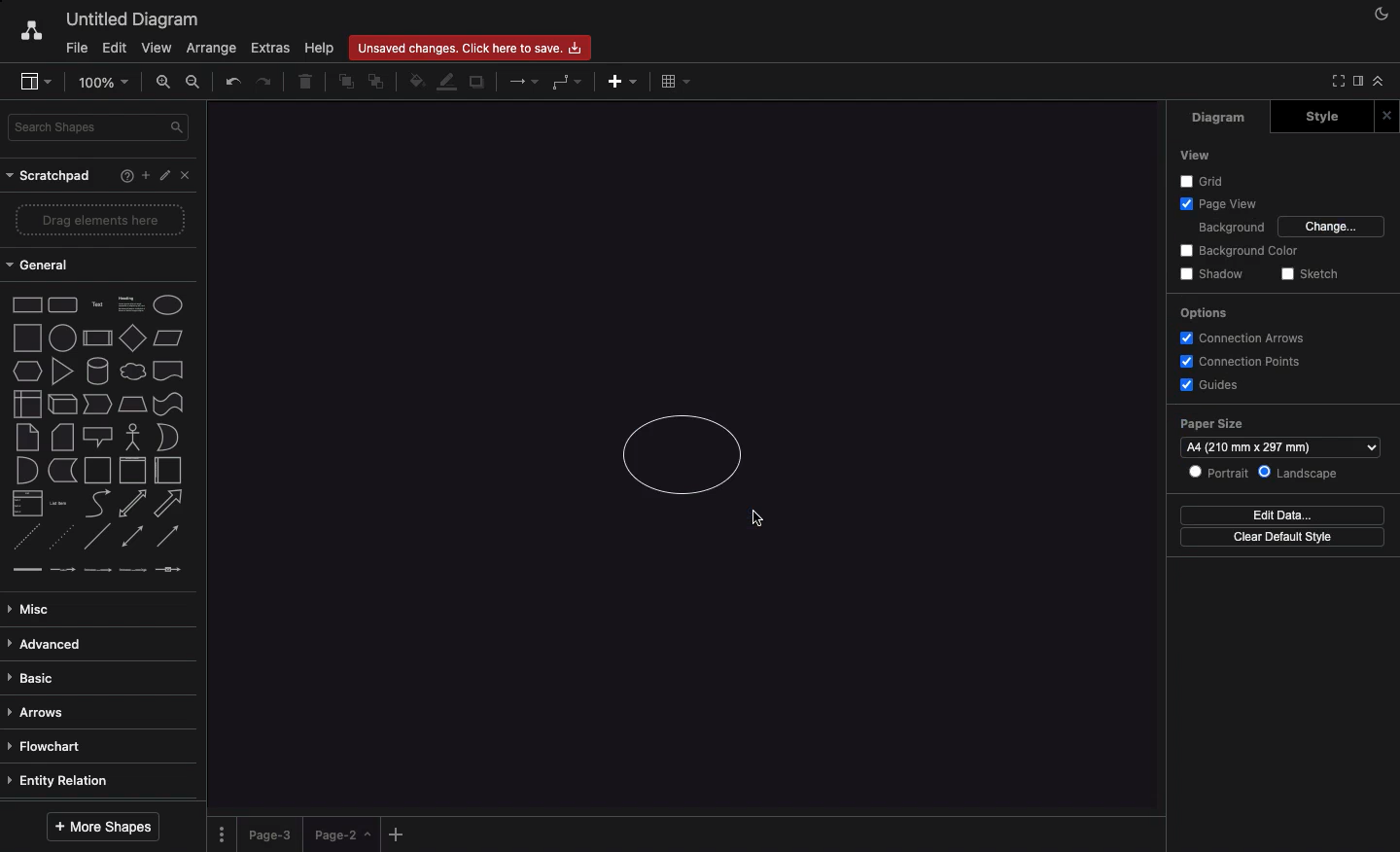 Image resolution: width=1400 pixels, height=852 pixels. I want to click on data storage, so click(63, 471).